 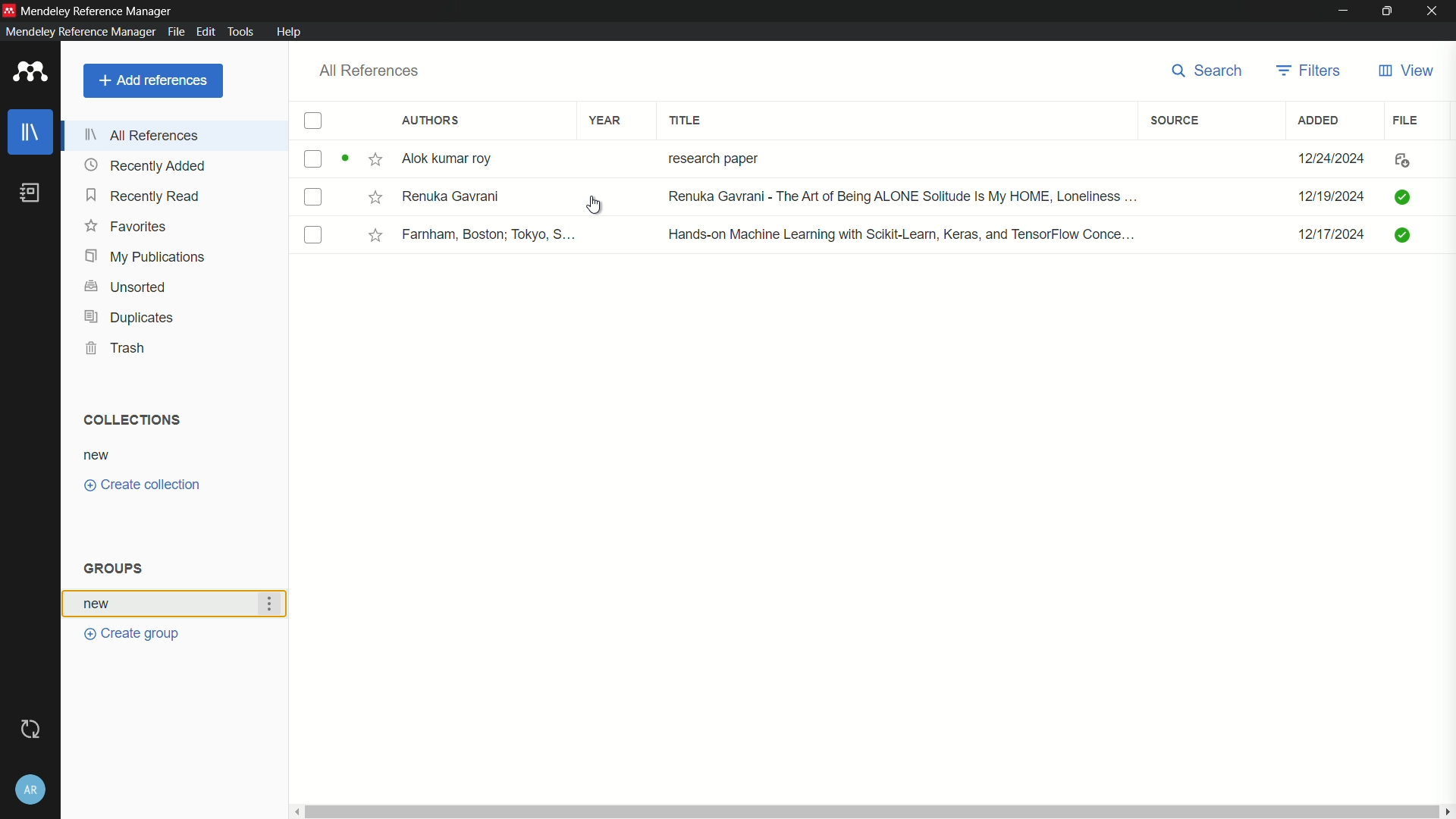 What do you see at coordinates (127, 227) in the screenshot?
I see `favorites` at bounding box center [127, 227].